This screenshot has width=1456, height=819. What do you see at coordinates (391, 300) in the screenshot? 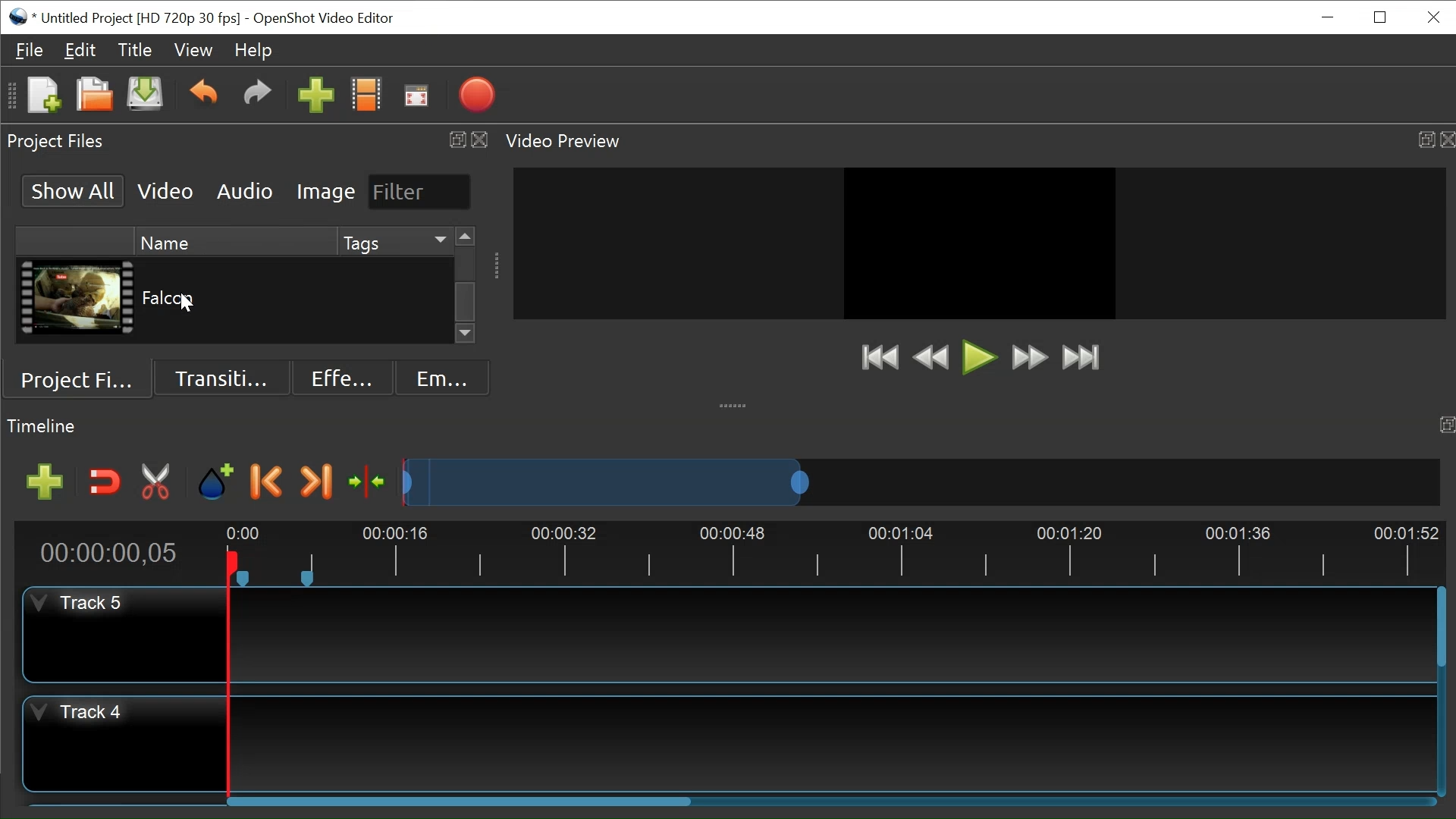
I see `Tag Name` at bounding box center [391, 300].